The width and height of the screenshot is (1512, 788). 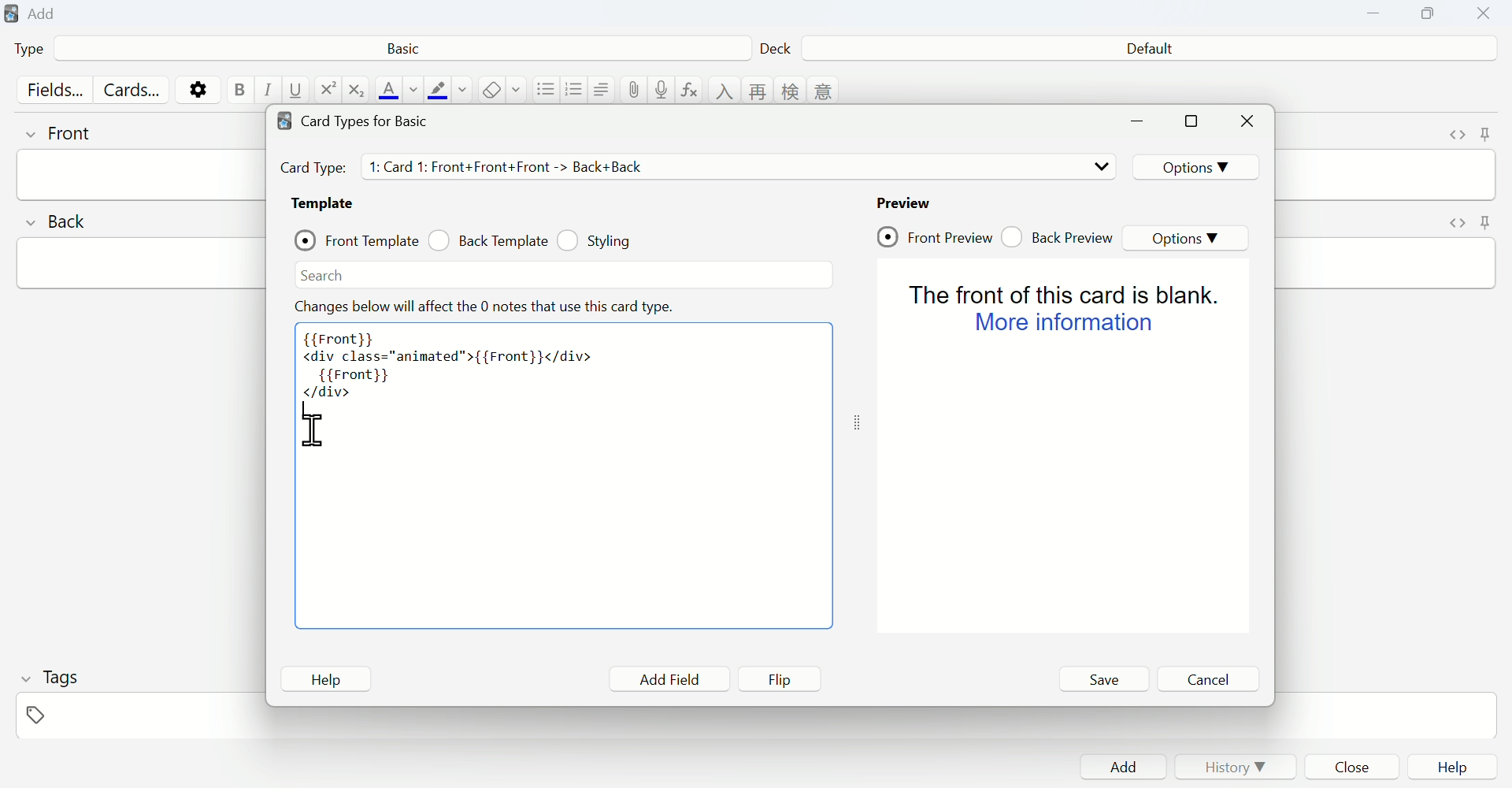 What do you see at coordinates (1153, 49) in the screenshot?
I see `Default` at bounding box center [1153, 49].